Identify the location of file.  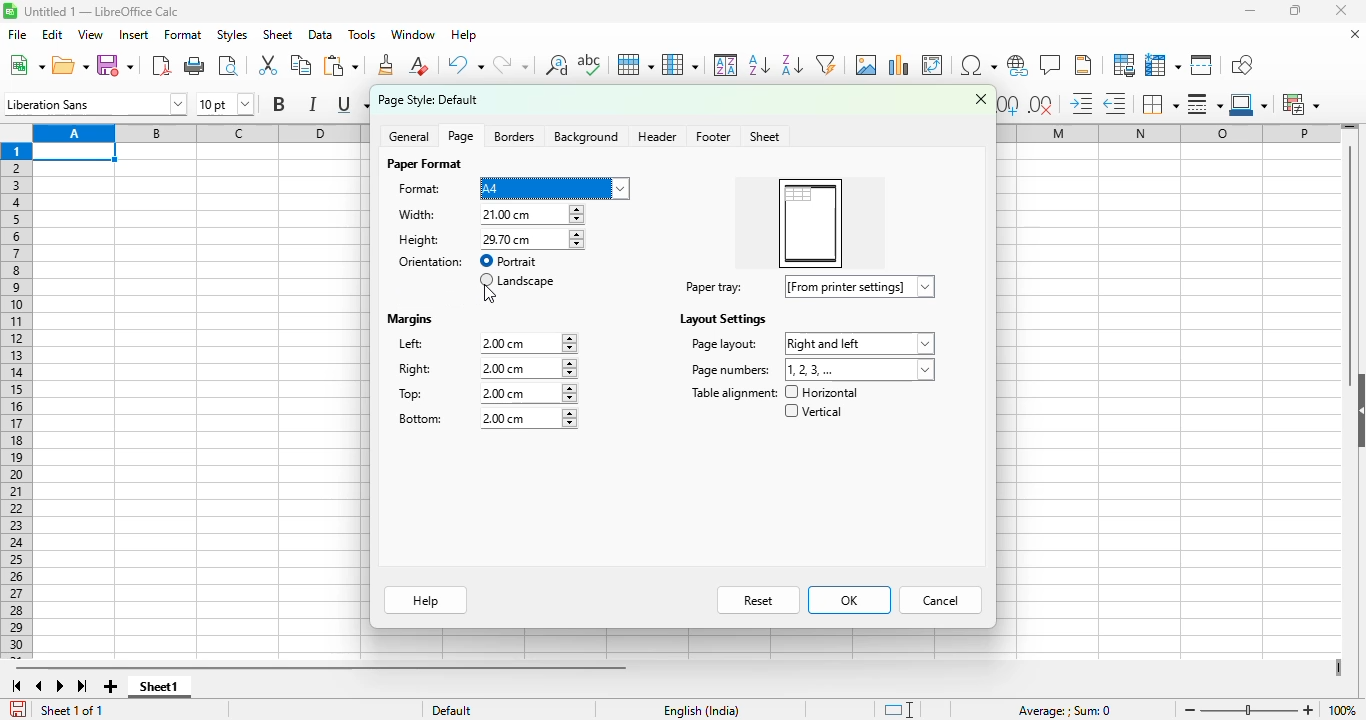
(17, 34).